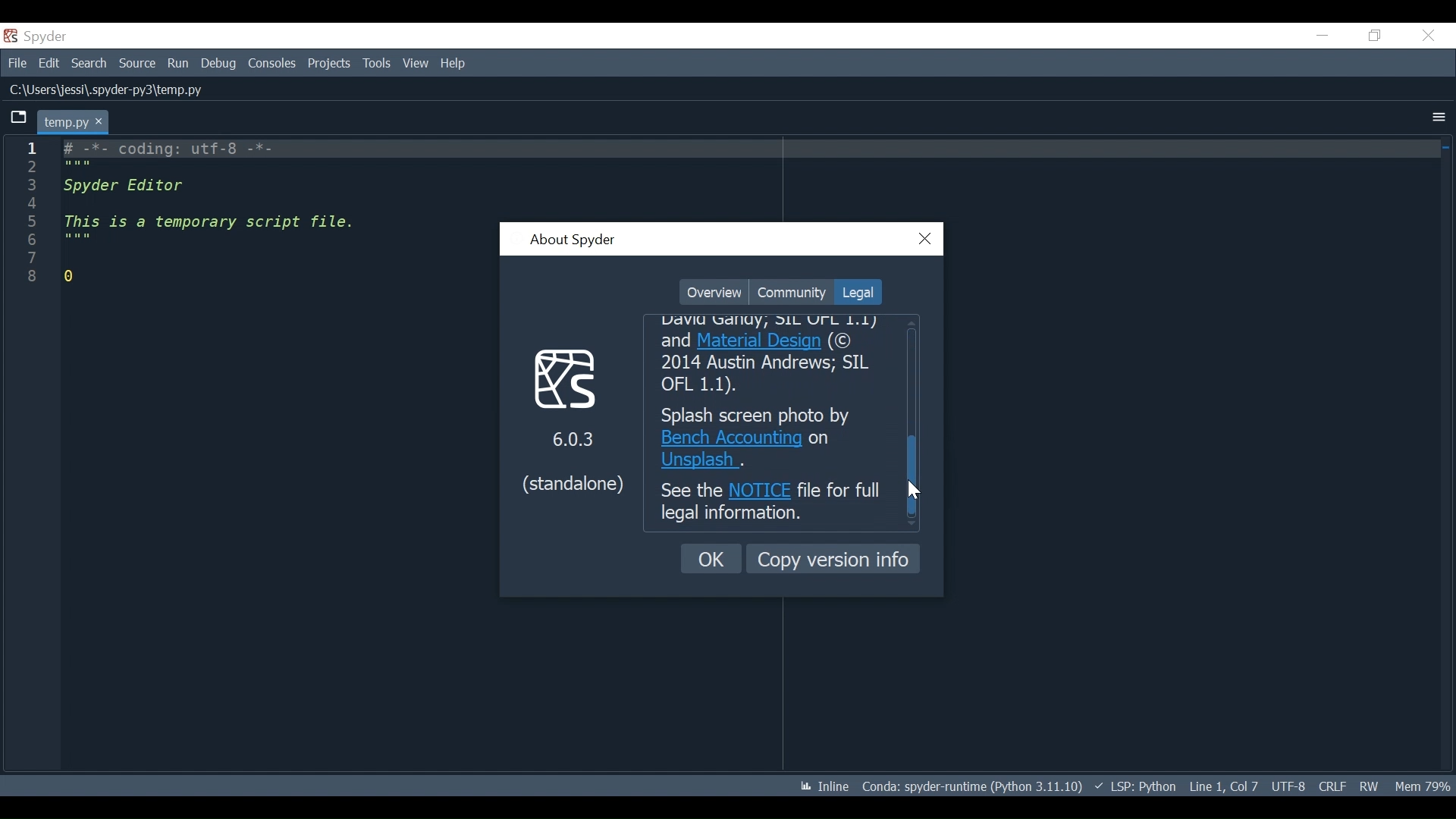  Describe the element at coordinates (49, 62) in the screenshot. I see `Edit` at that location.